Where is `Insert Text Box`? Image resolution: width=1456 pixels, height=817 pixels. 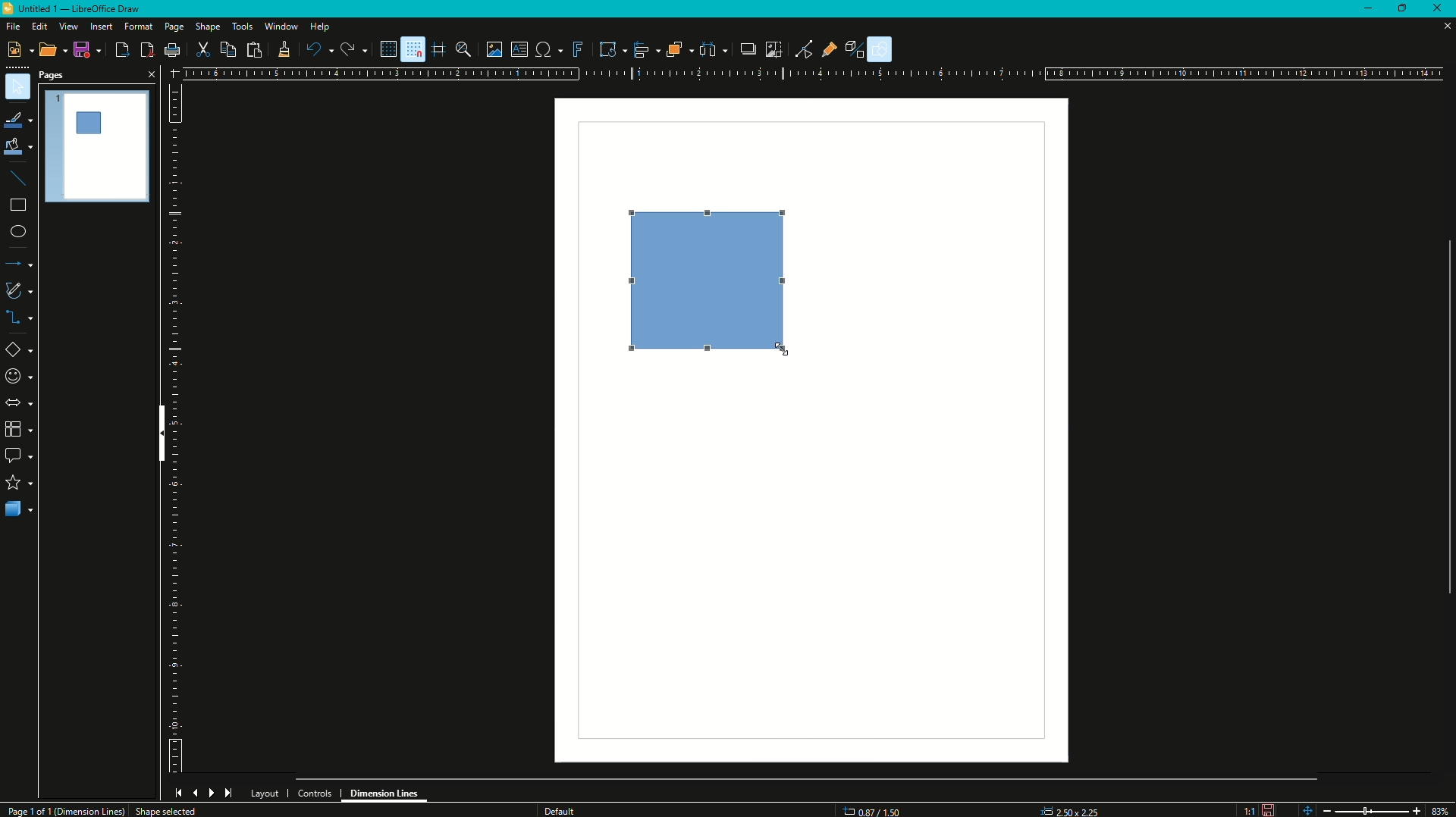 Insert Text Box is located at coordinates (519, 49).